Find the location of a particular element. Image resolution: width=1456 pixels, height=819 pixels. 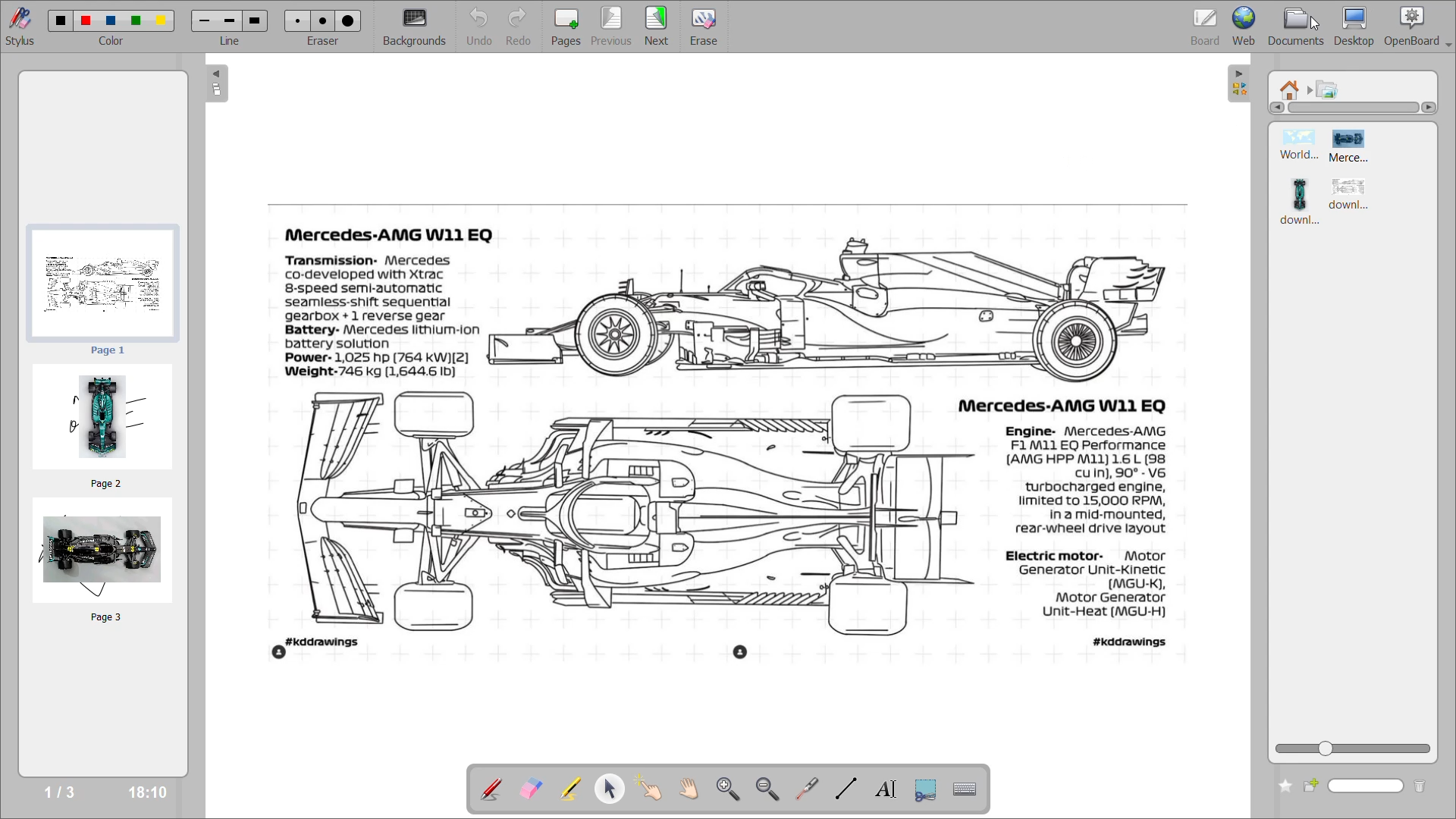

mercedes image is located at coordinates (1350, 146).